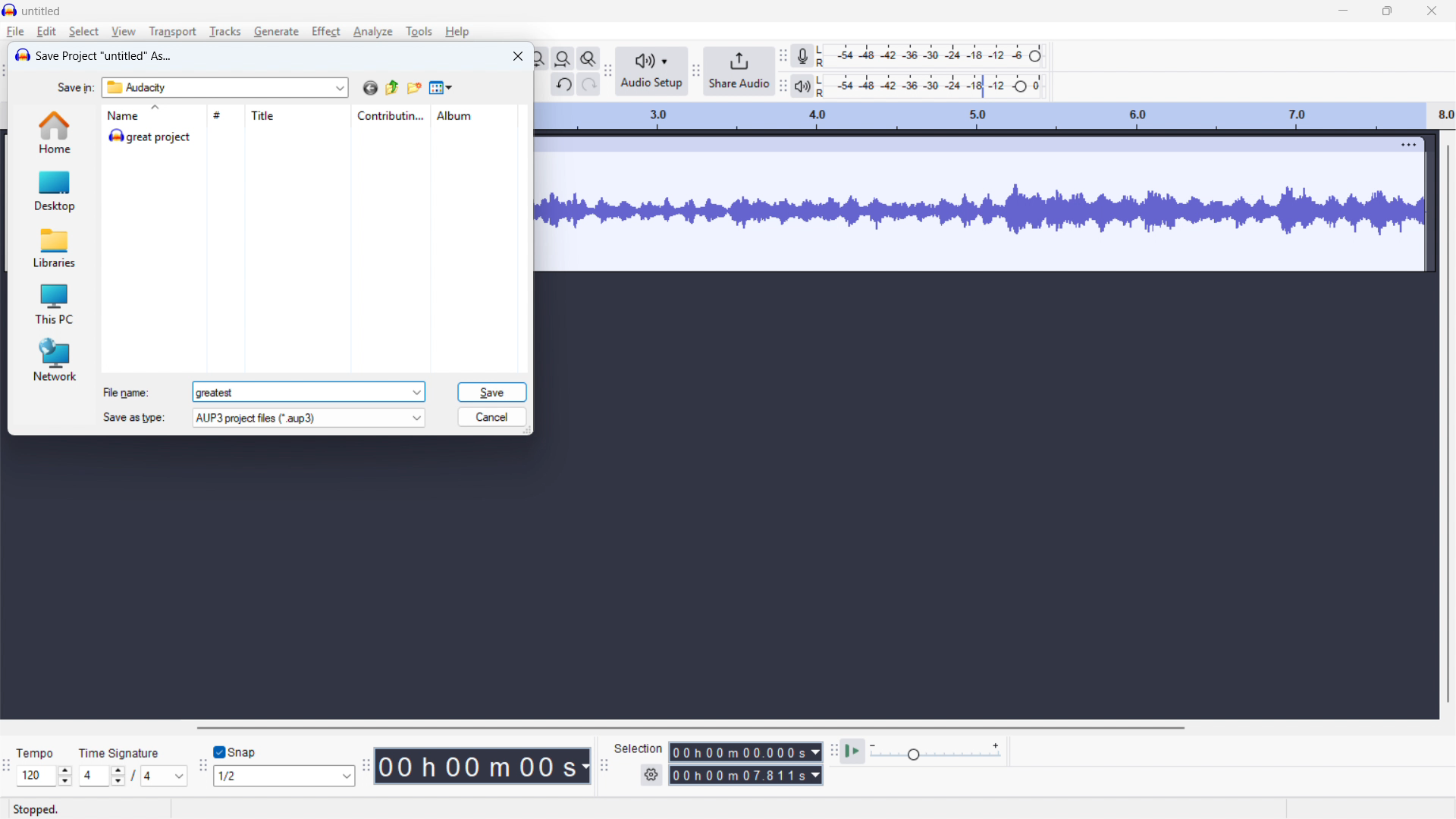 This screenshot has height=819, width=1456. I want to click on share audio toolbar, so click(695, 72).